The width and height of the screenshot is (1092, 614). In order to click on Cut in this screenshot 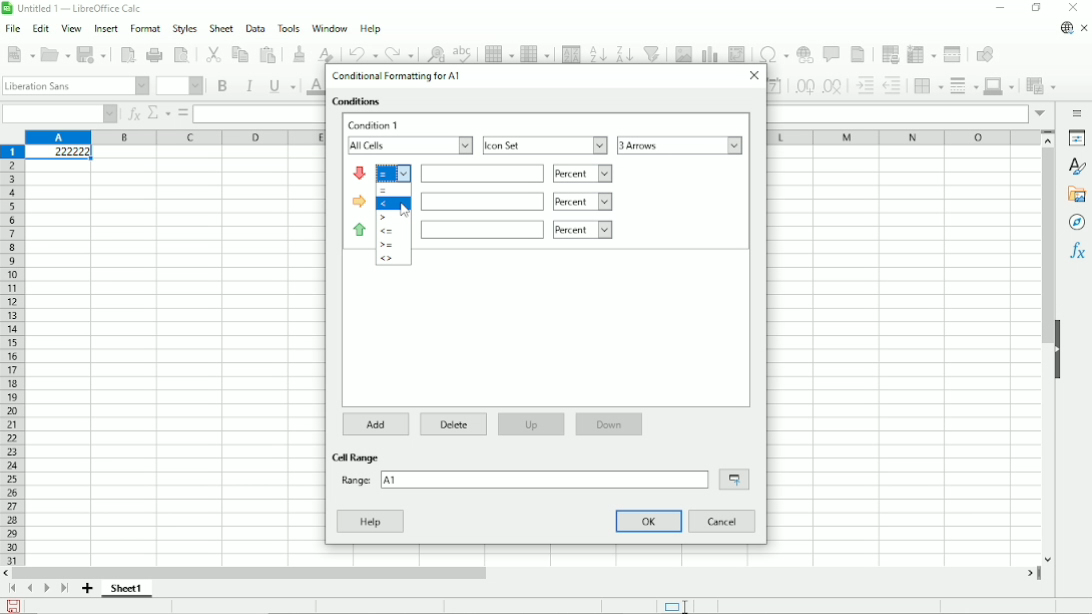, I will do `click(212, 53)`.